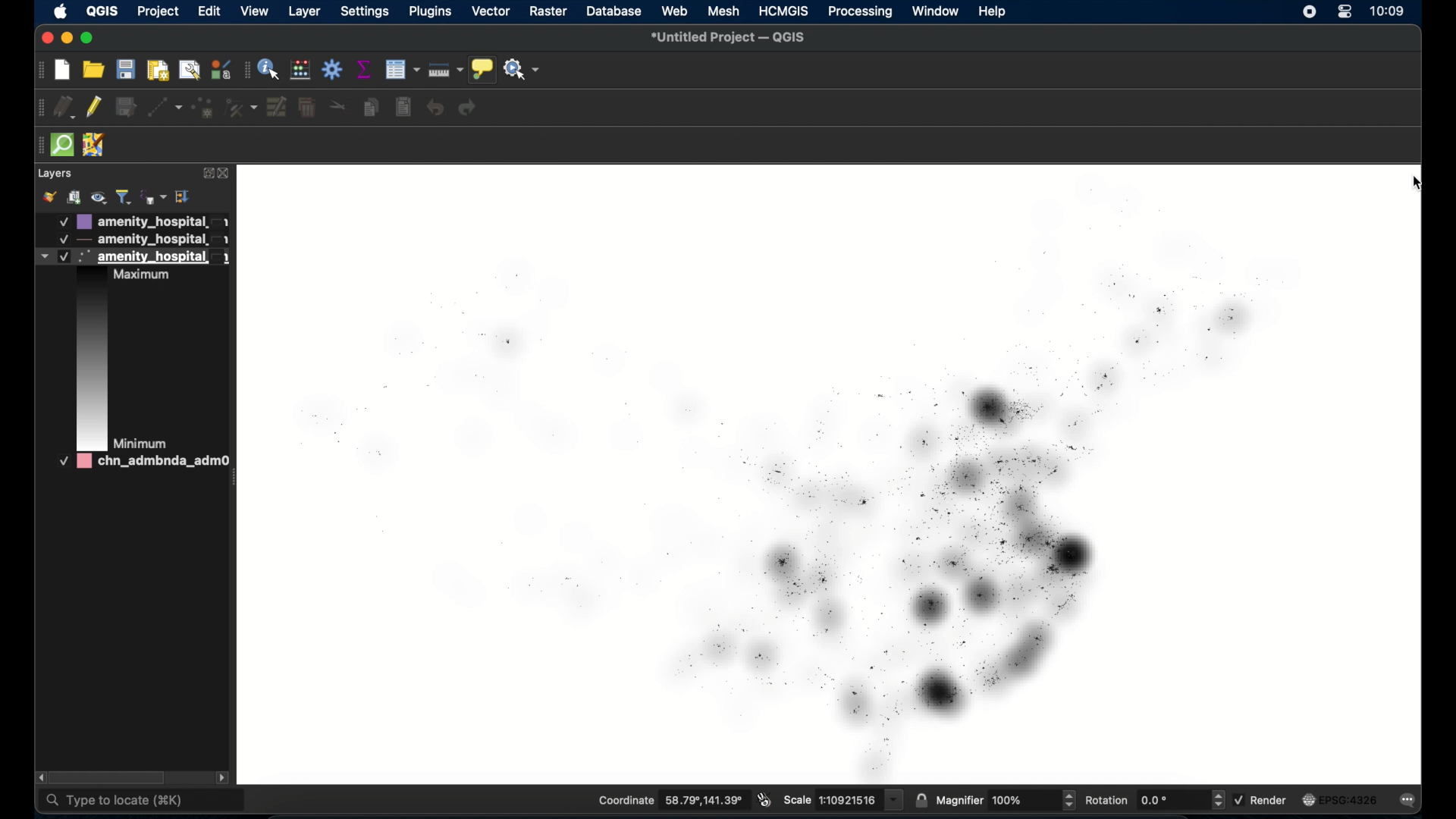 The height and width of the screenshot is (819, 1456). I want to click on HCMGIS, so click(784, 11).